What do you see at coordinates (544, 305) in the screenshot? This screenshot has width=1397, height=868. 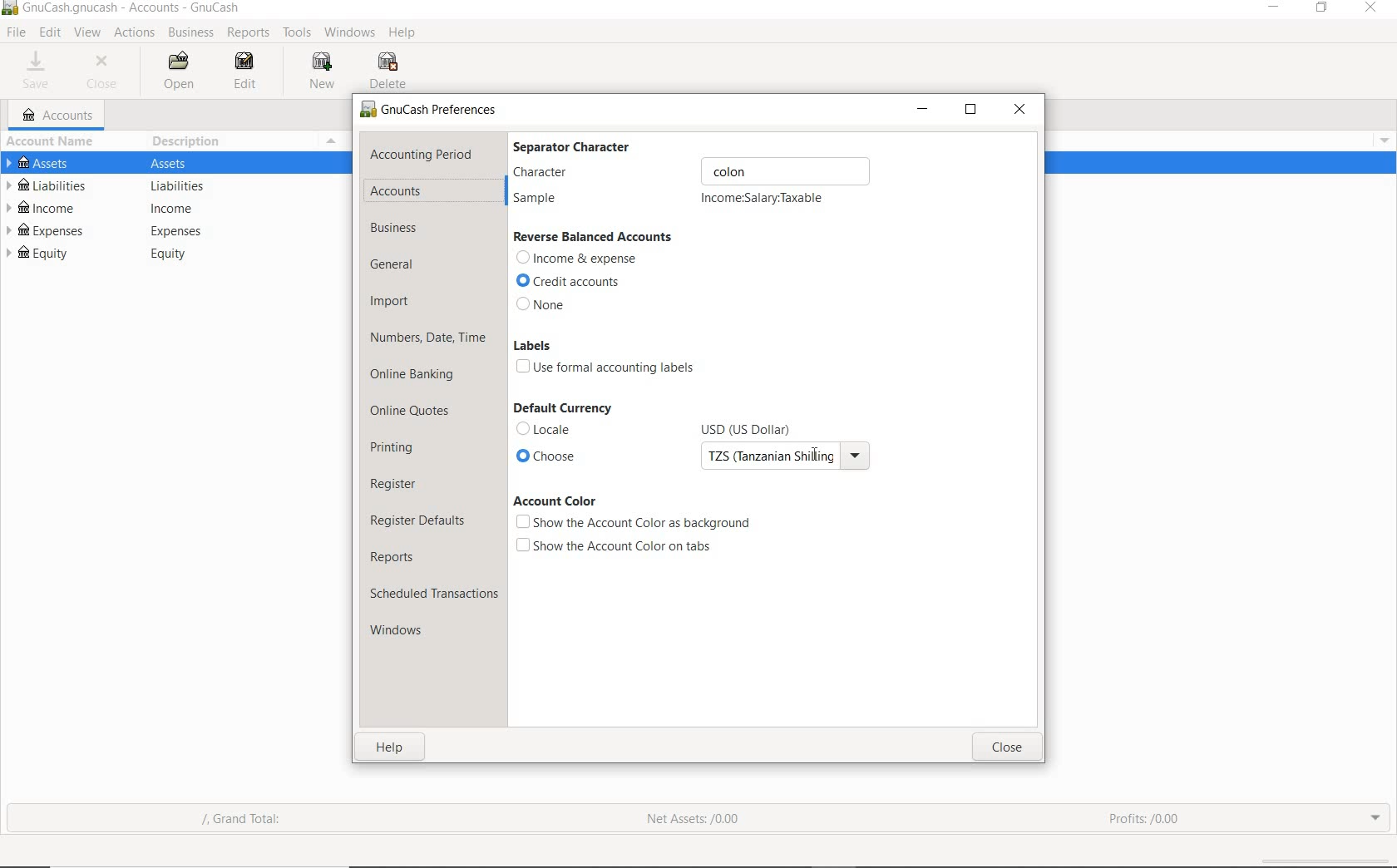 I see `none` at bounding box center [544, 305].